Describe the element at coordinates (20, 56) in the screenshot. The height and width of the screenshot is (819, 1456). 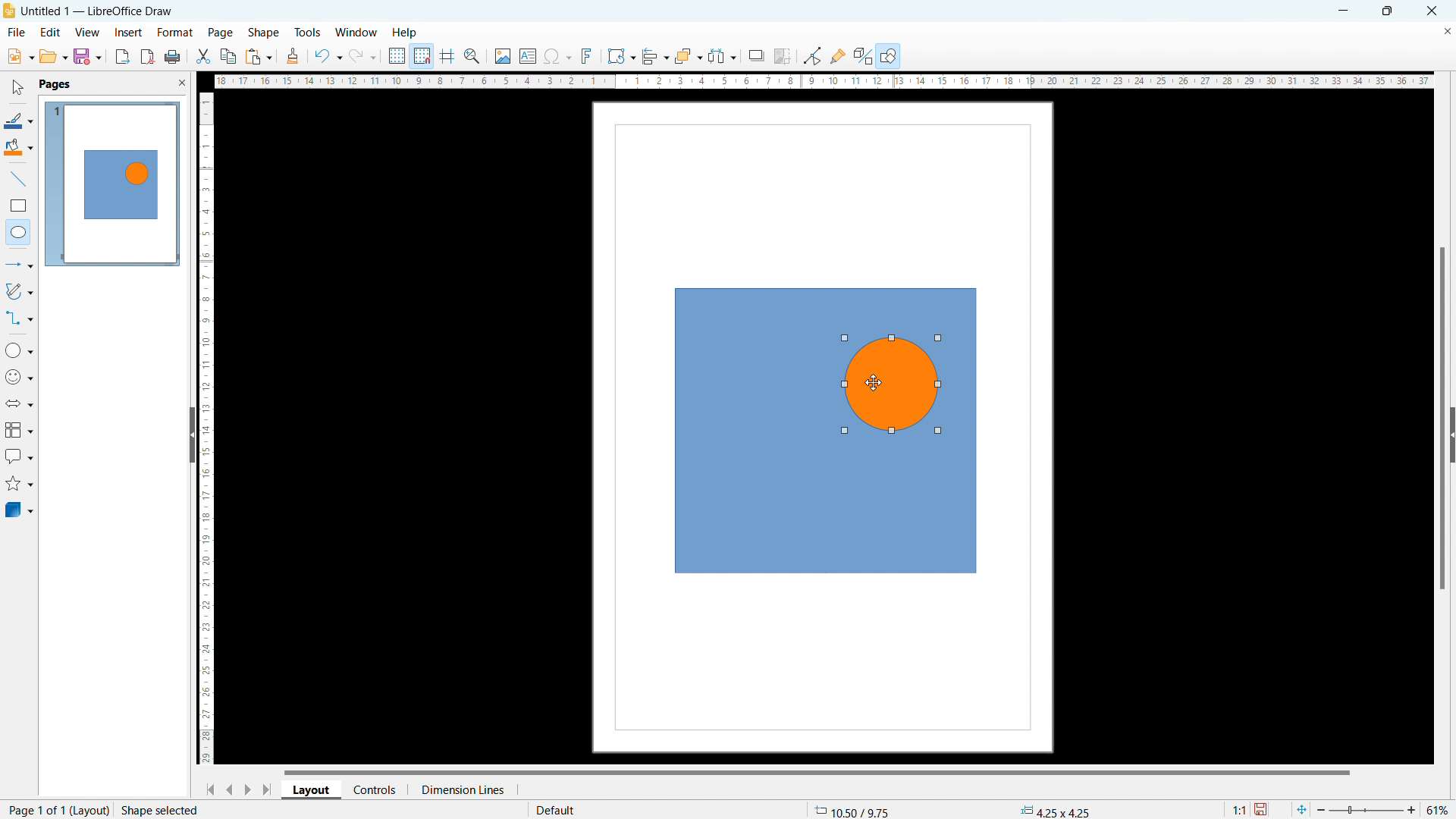
I see `new` at that location.